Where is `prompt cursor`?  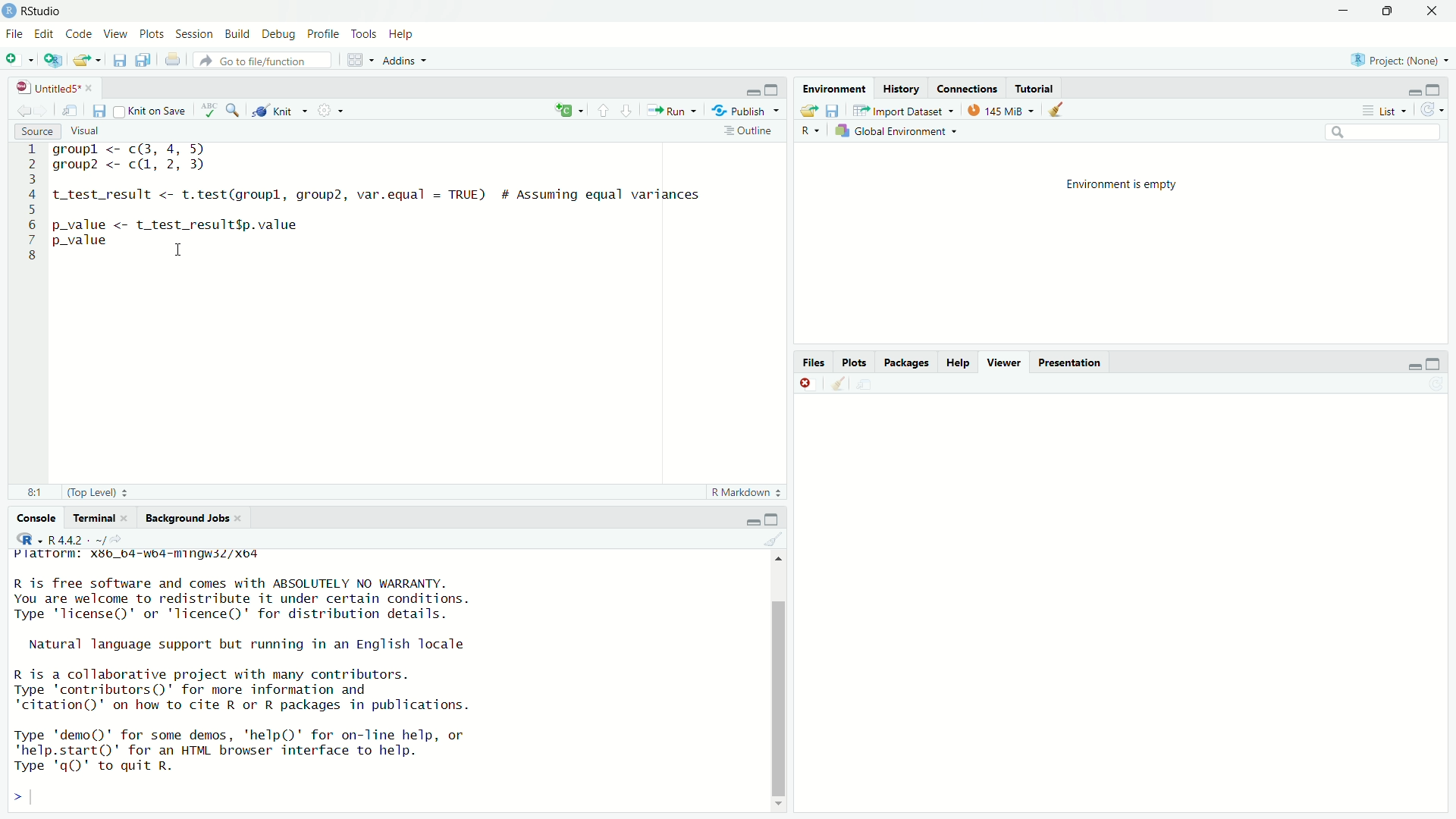 prompt cursor is located at coordinates (17, 795).